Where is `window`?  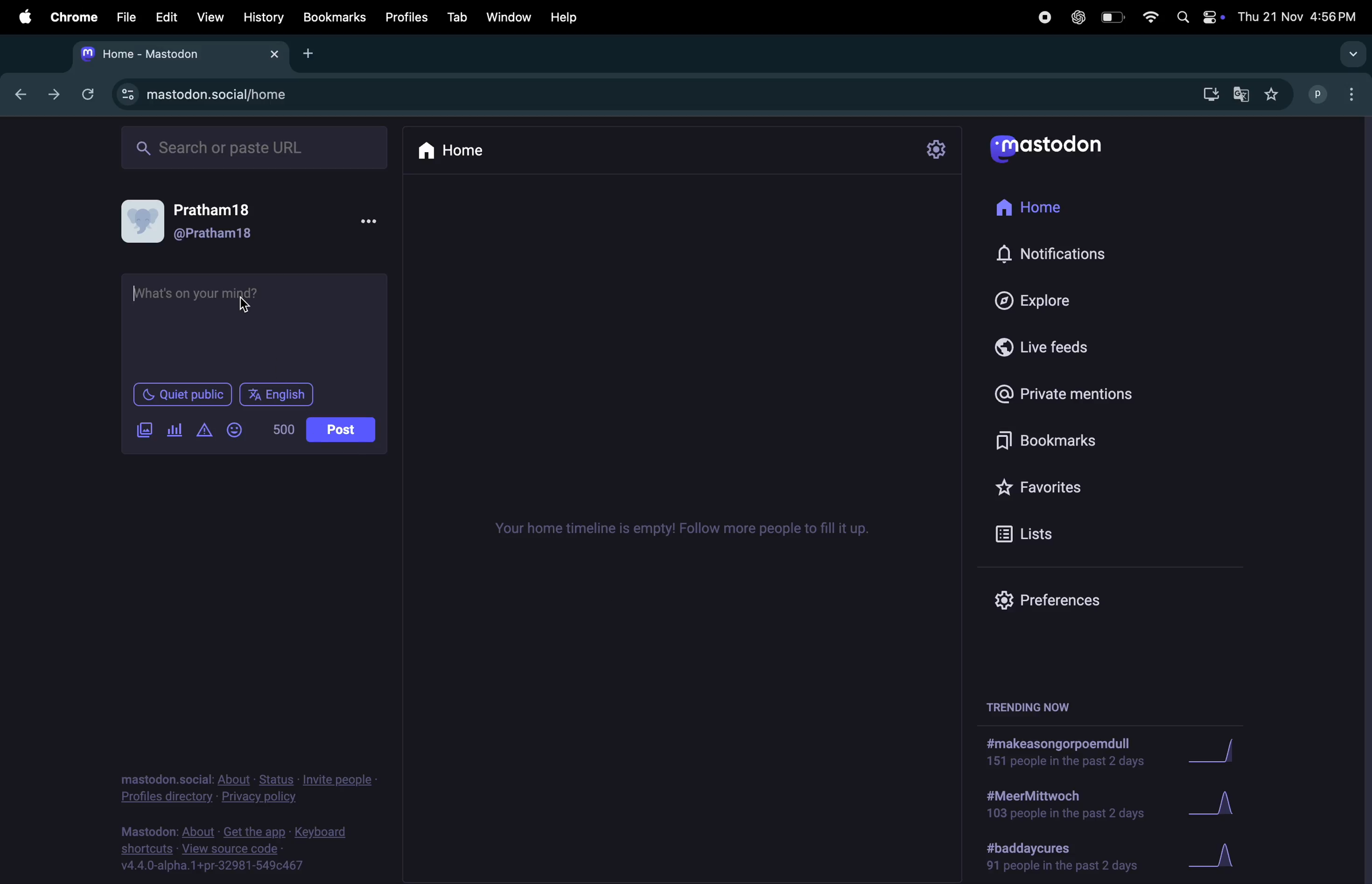
window is located at coordinates (508, 17).